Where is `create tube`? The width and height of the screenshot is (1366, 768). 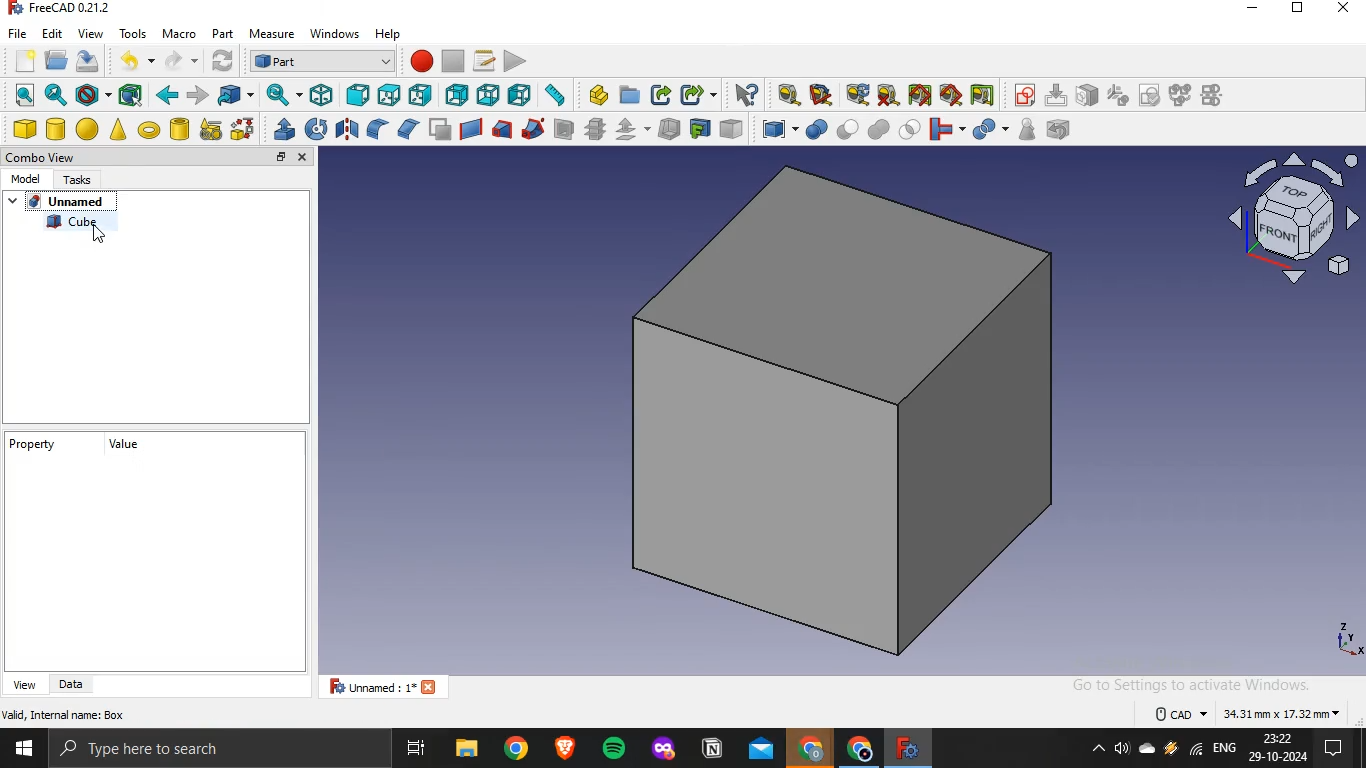 create tube is located at coordinates (179, 129).